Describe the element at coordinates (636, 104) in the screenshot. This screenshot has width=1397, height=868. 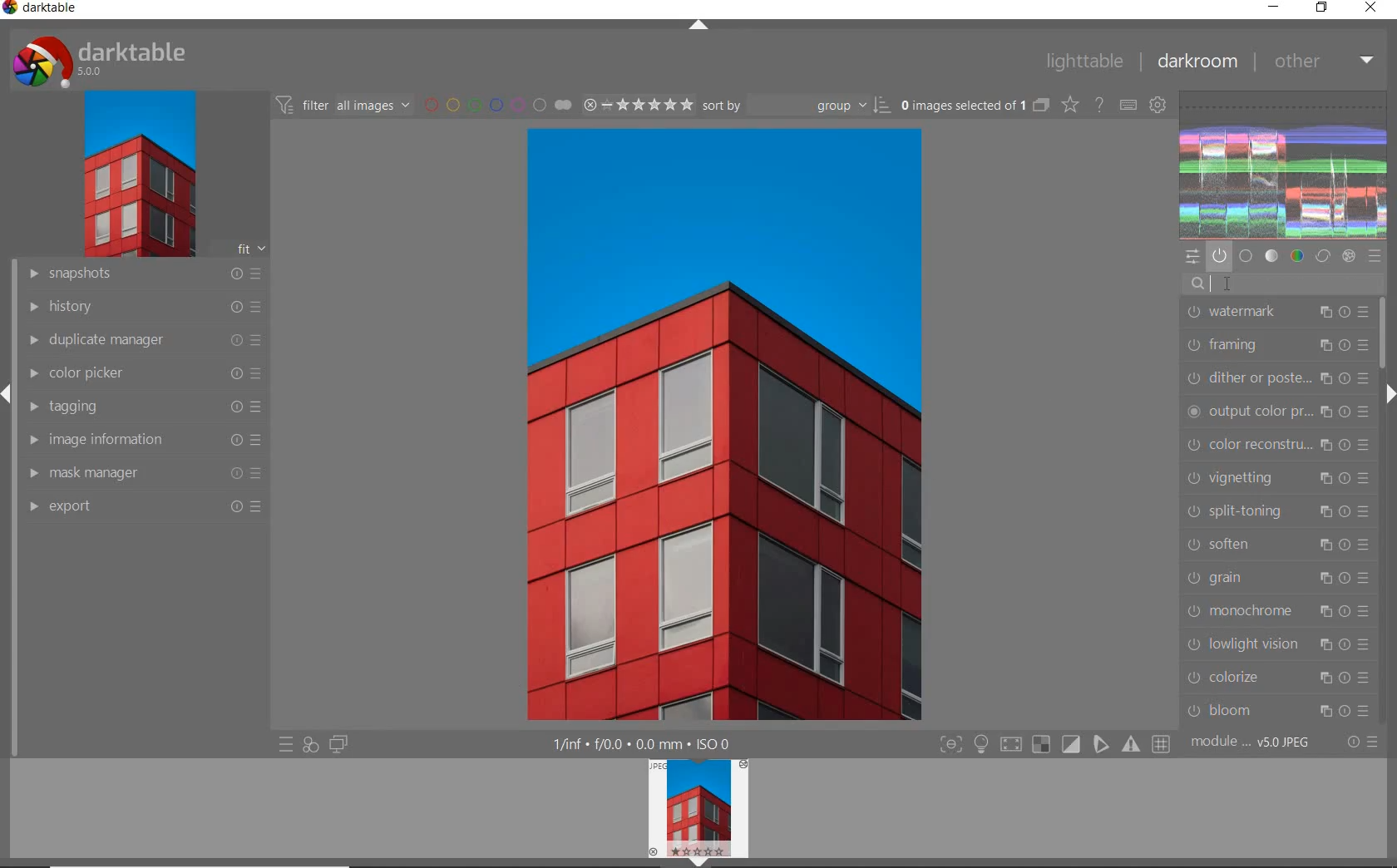
I see `selected image range rating` at that location.